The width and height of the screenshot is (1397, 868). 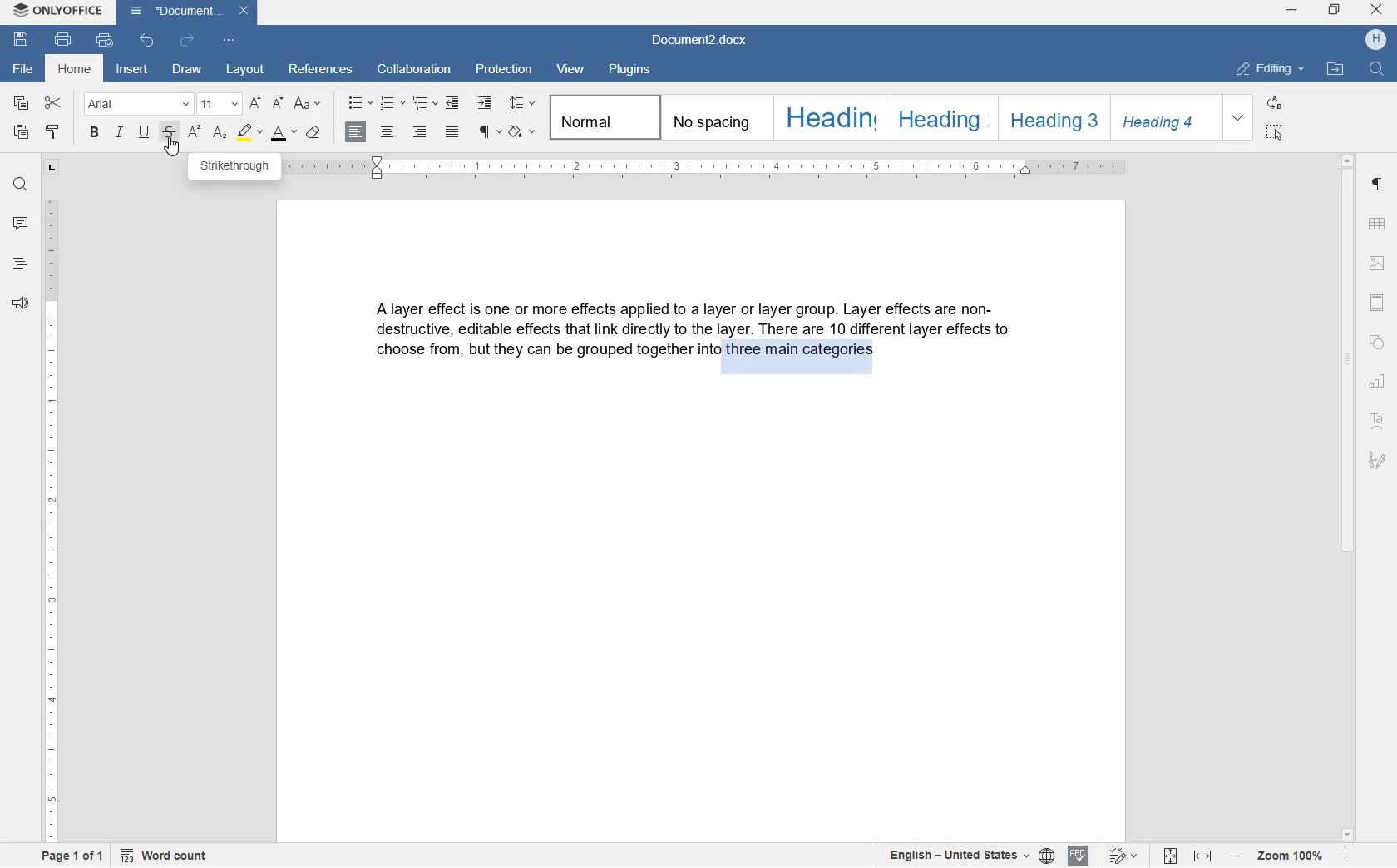 I want to click on italic, so click(x=121, y=135).